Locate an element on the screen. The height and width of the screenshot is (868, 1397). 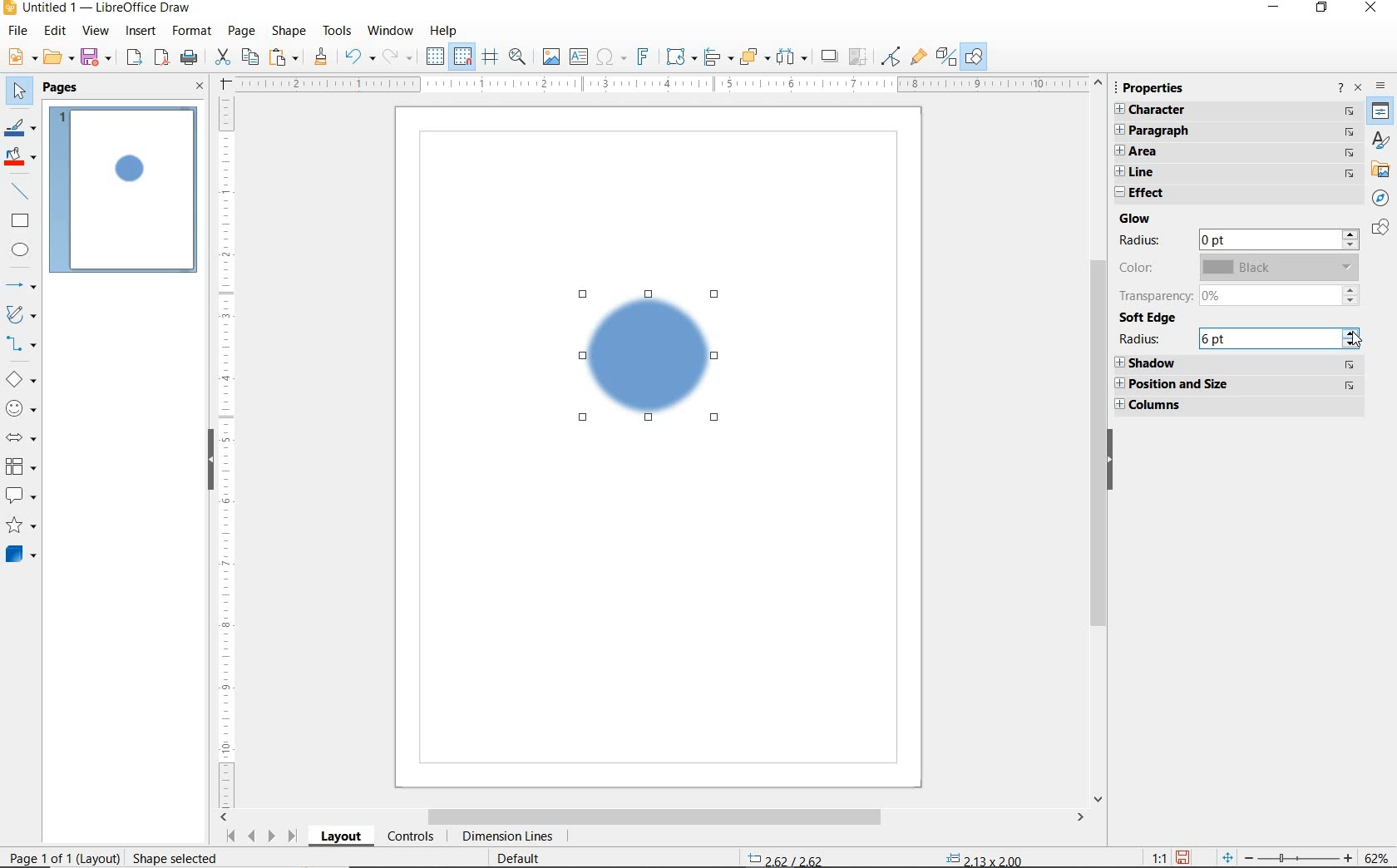
RULER is located at coordinates (666, 82).